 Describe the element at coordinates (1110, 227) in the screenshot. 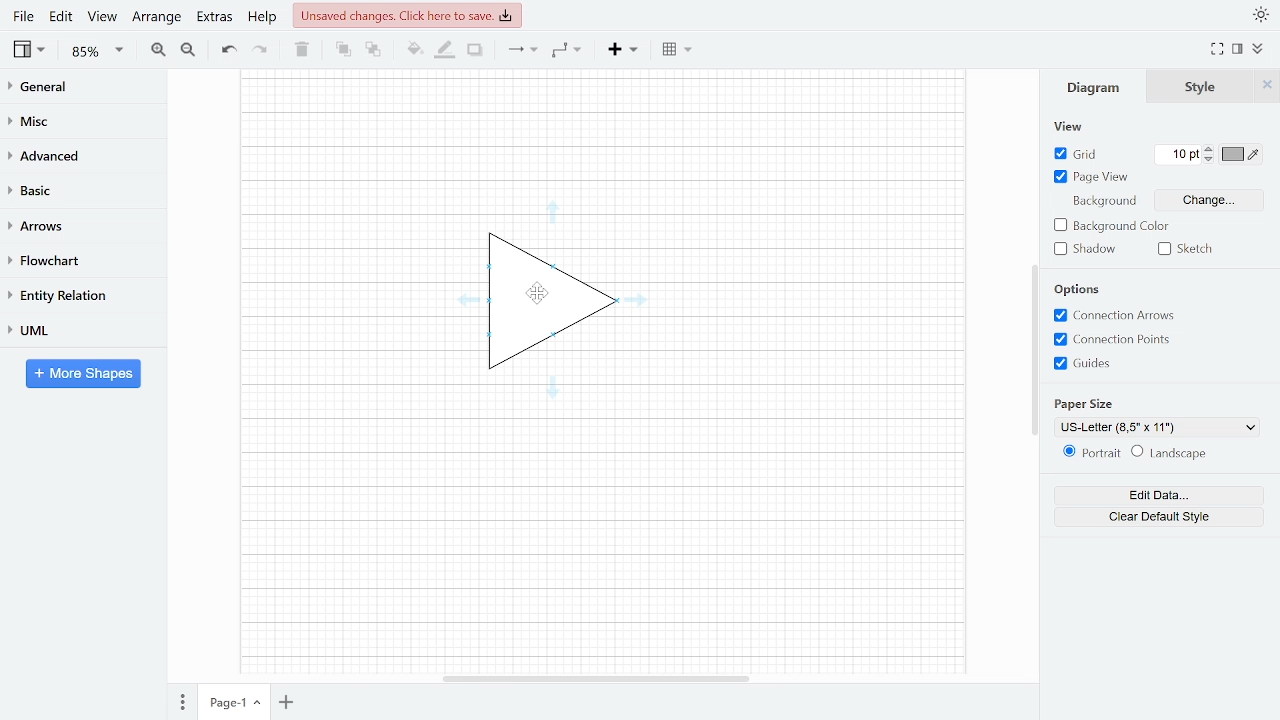

I see `Background color` at that location.